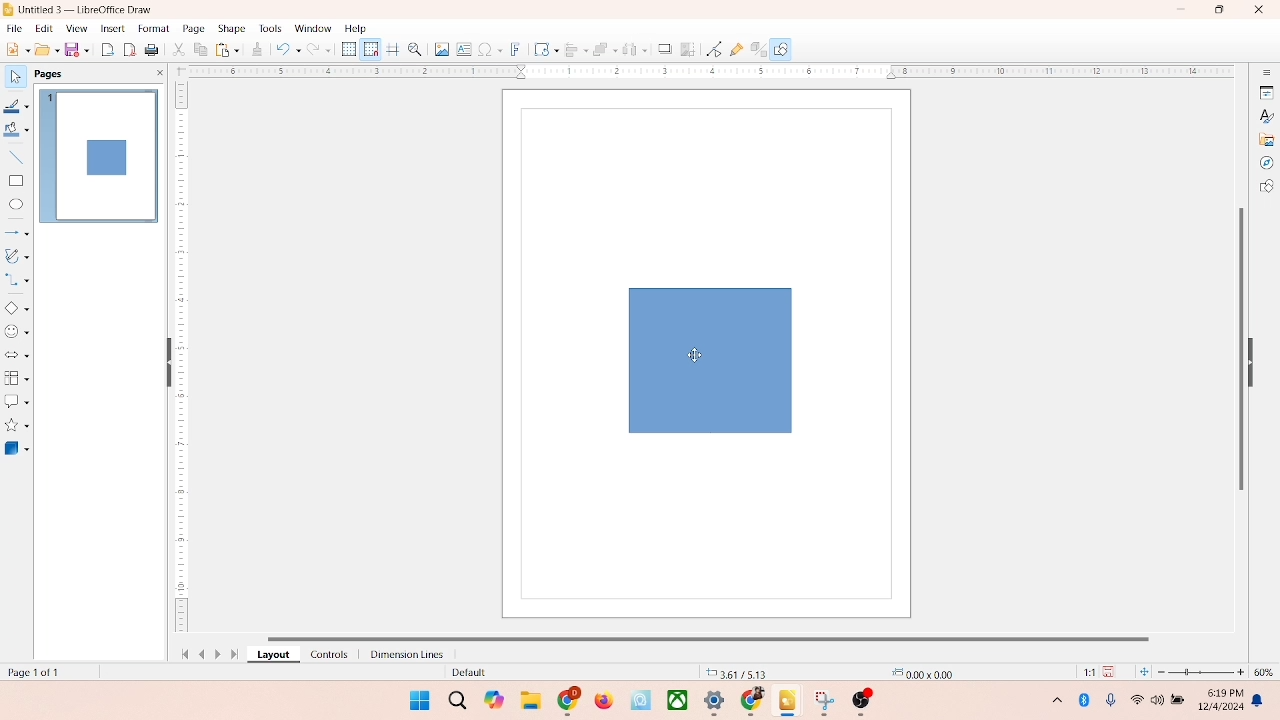 The image size is (1280, 720). I want to click on select at least three object to distribute, so click(630, 50).